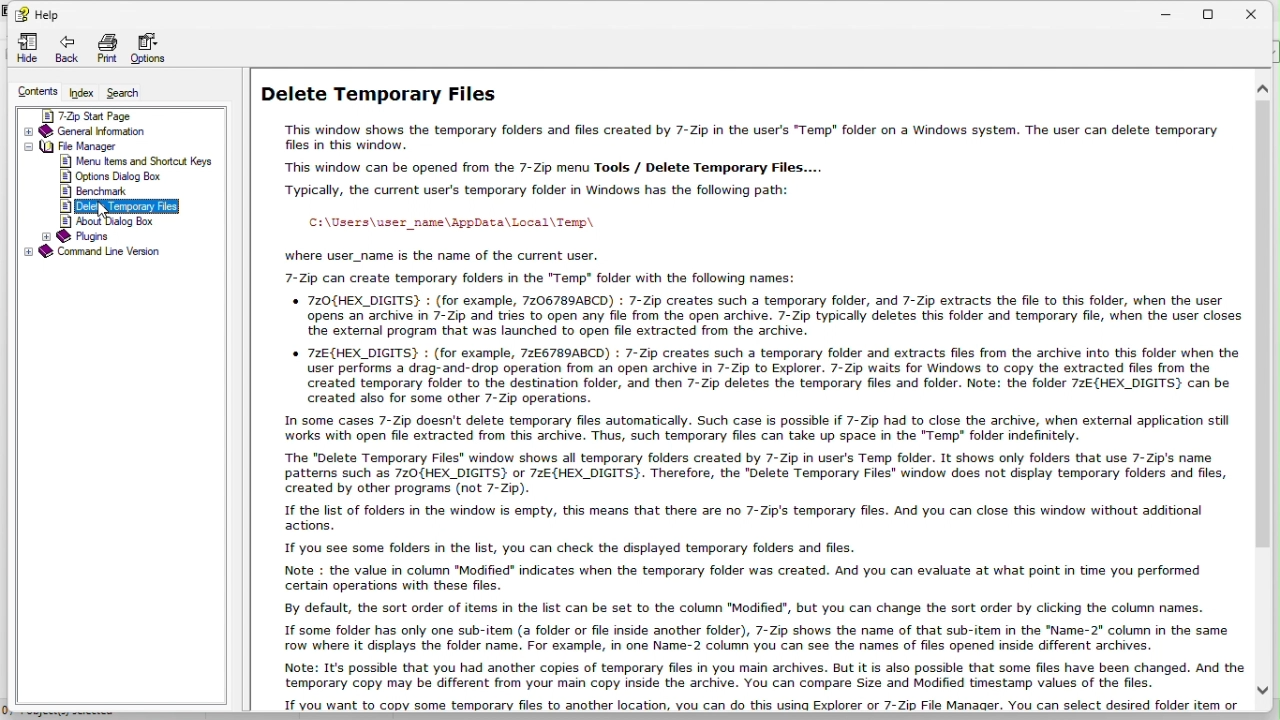 The height and width of the screenshot is (720, 1280). What do you see at coordinates (138, 163) in the screenshot?
I see `menu items and shortcut keys` at bounding box center [138, 163].